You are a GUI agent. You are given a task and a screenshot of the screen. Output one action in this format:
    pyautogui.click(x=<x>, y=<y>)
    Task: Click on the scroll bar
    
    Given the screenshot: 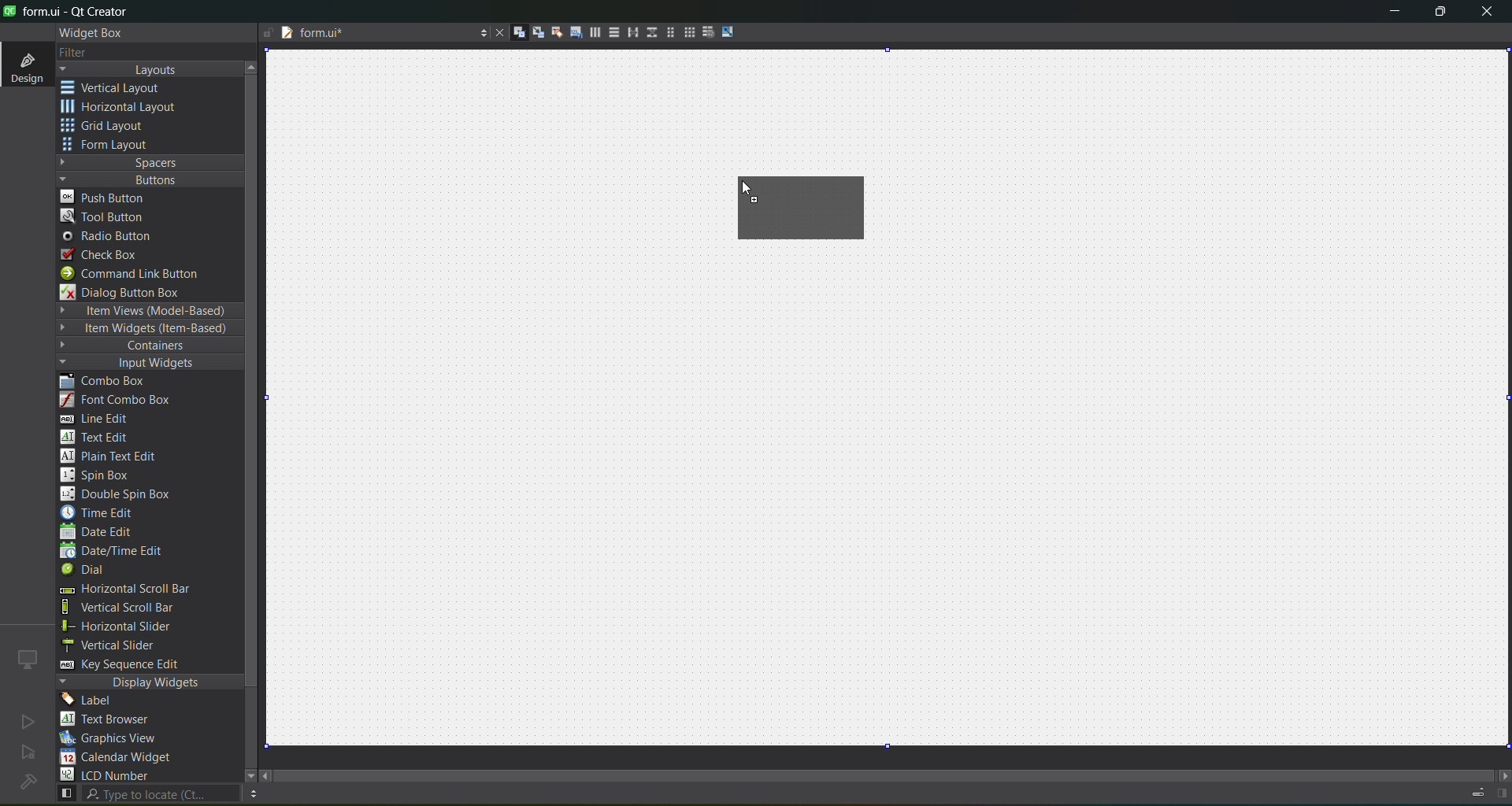 What is the action you would take?
    pyautogui.click(x=896, y=771)
    